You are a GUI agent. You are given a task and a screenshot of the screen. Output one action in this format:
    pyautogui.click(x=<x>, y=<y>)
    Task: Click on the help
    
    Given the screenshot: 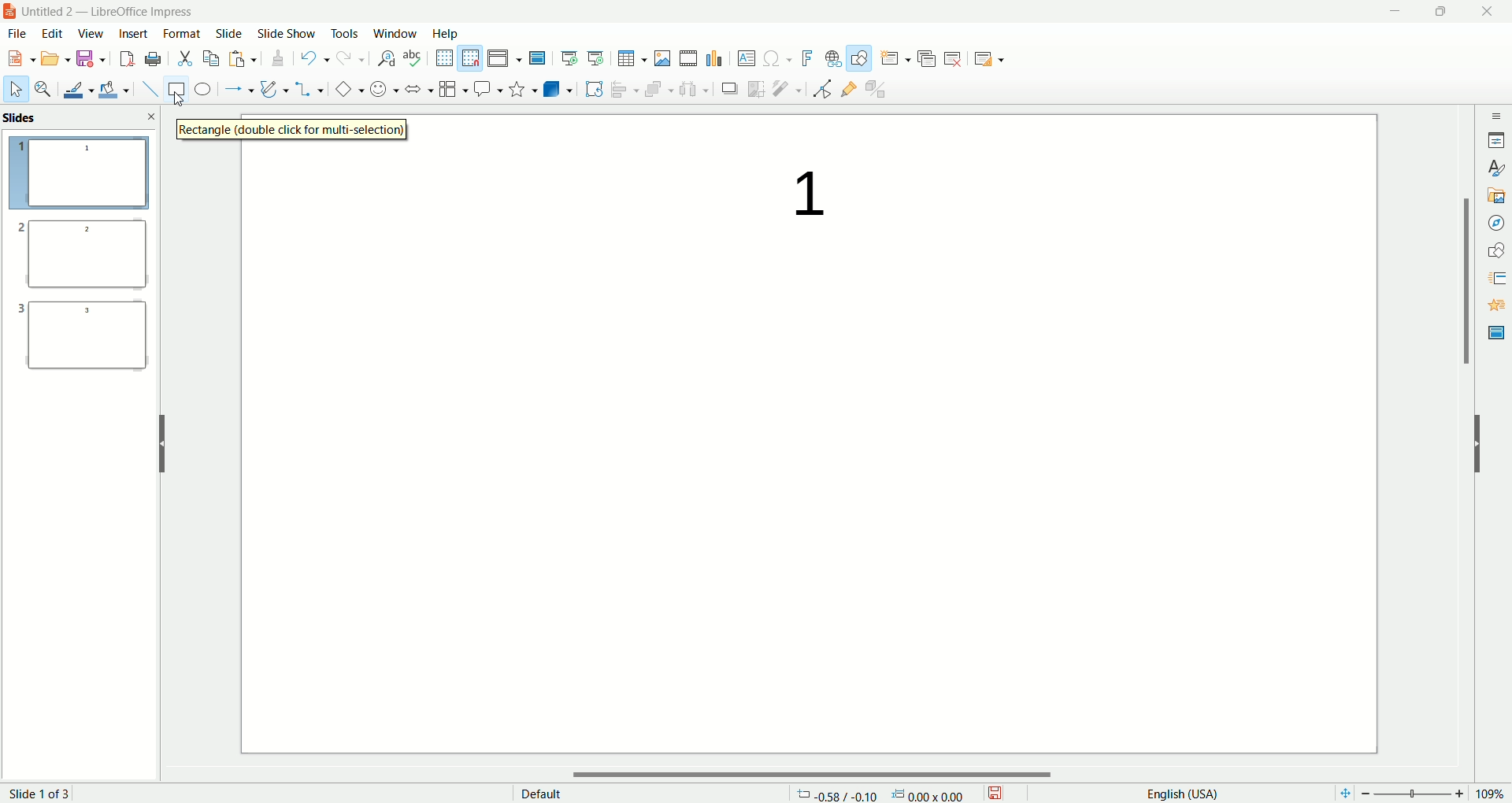 What is the action you would take?
    pyautogui.click(x=446, y=33)
    